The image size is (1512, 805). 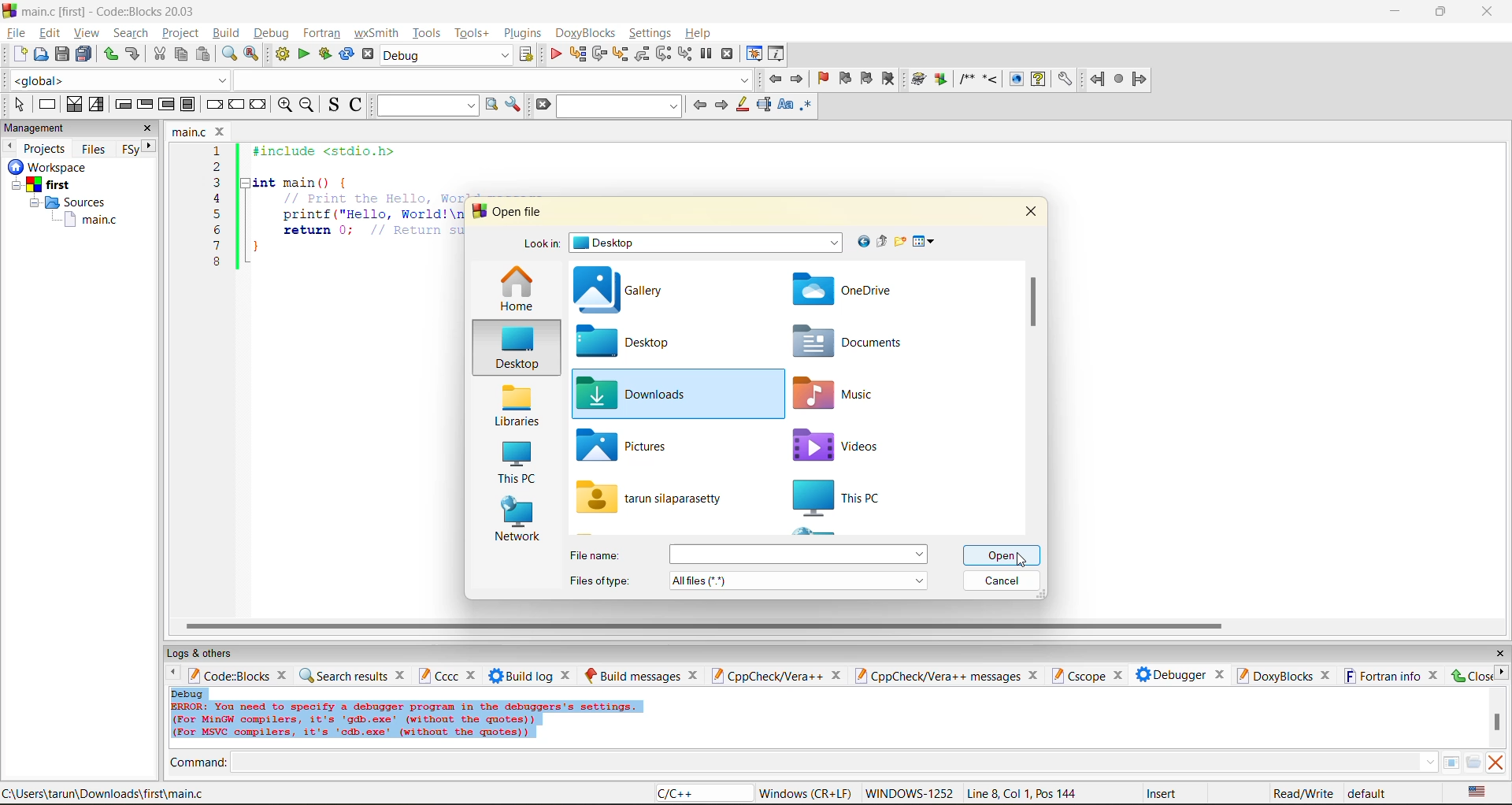 I want to click on 7, so click(x=217, y=246).